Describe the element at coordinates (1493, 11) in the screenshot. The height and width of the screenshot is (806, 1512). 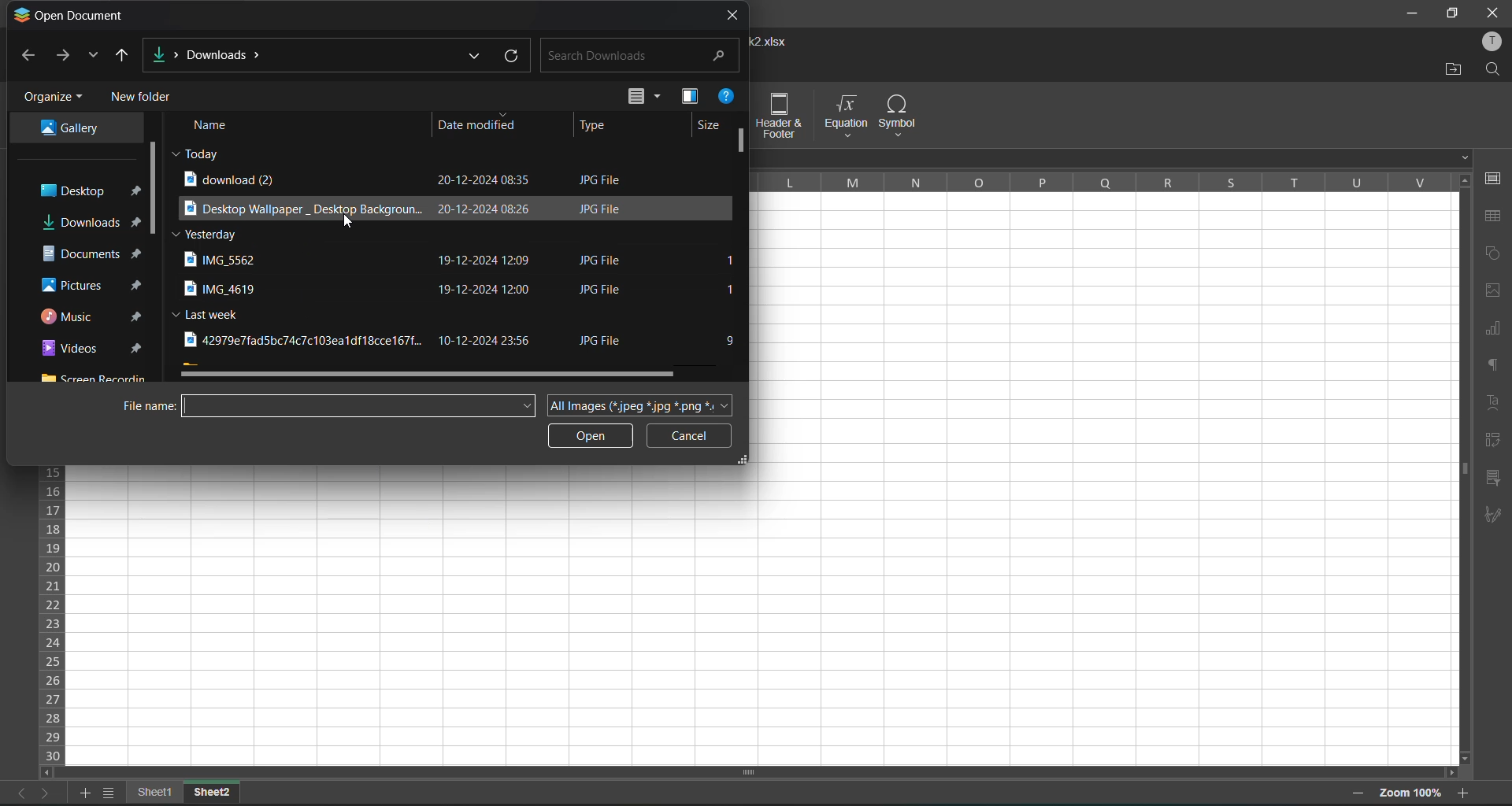
I see `close` at that location.